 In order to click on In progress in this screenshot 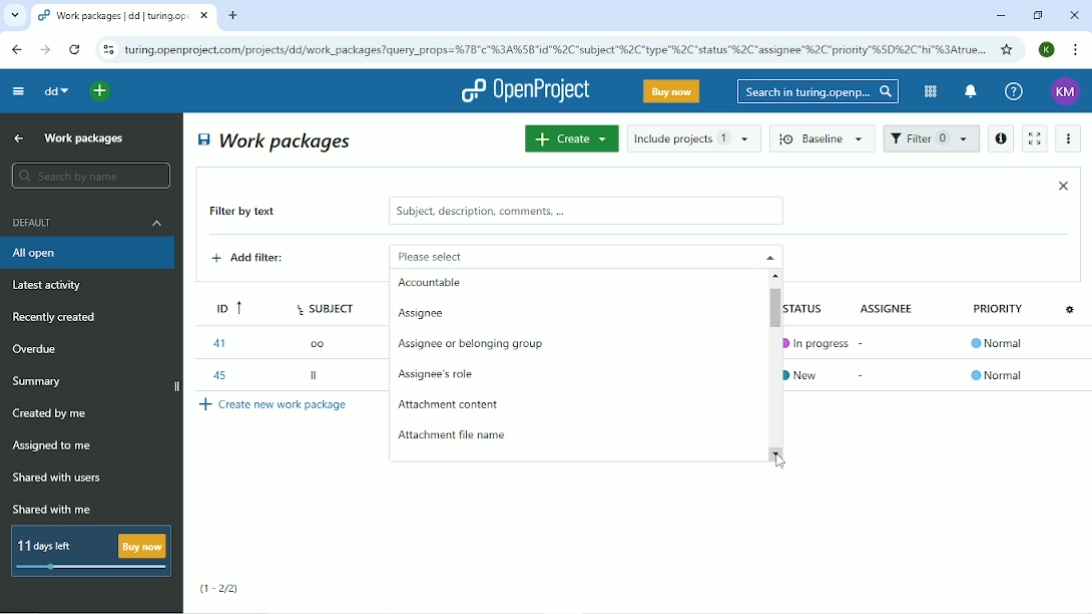, I will do `click(815, 339)`.